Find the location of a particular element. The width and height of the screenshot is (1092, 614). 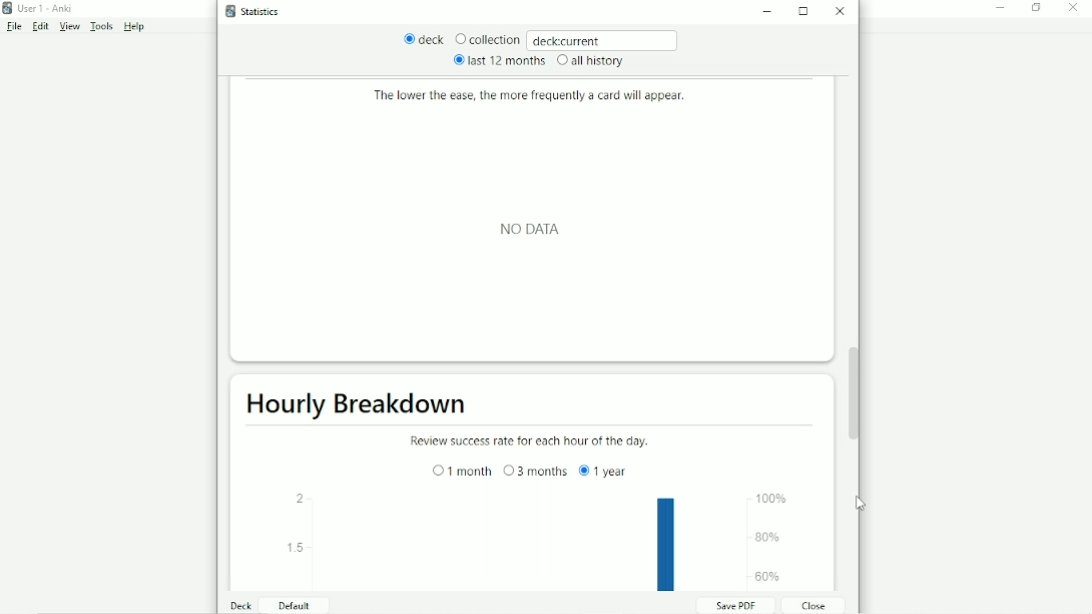

The lower the ease, the more frequently a card will appear. is located at coordinates (532, 96).